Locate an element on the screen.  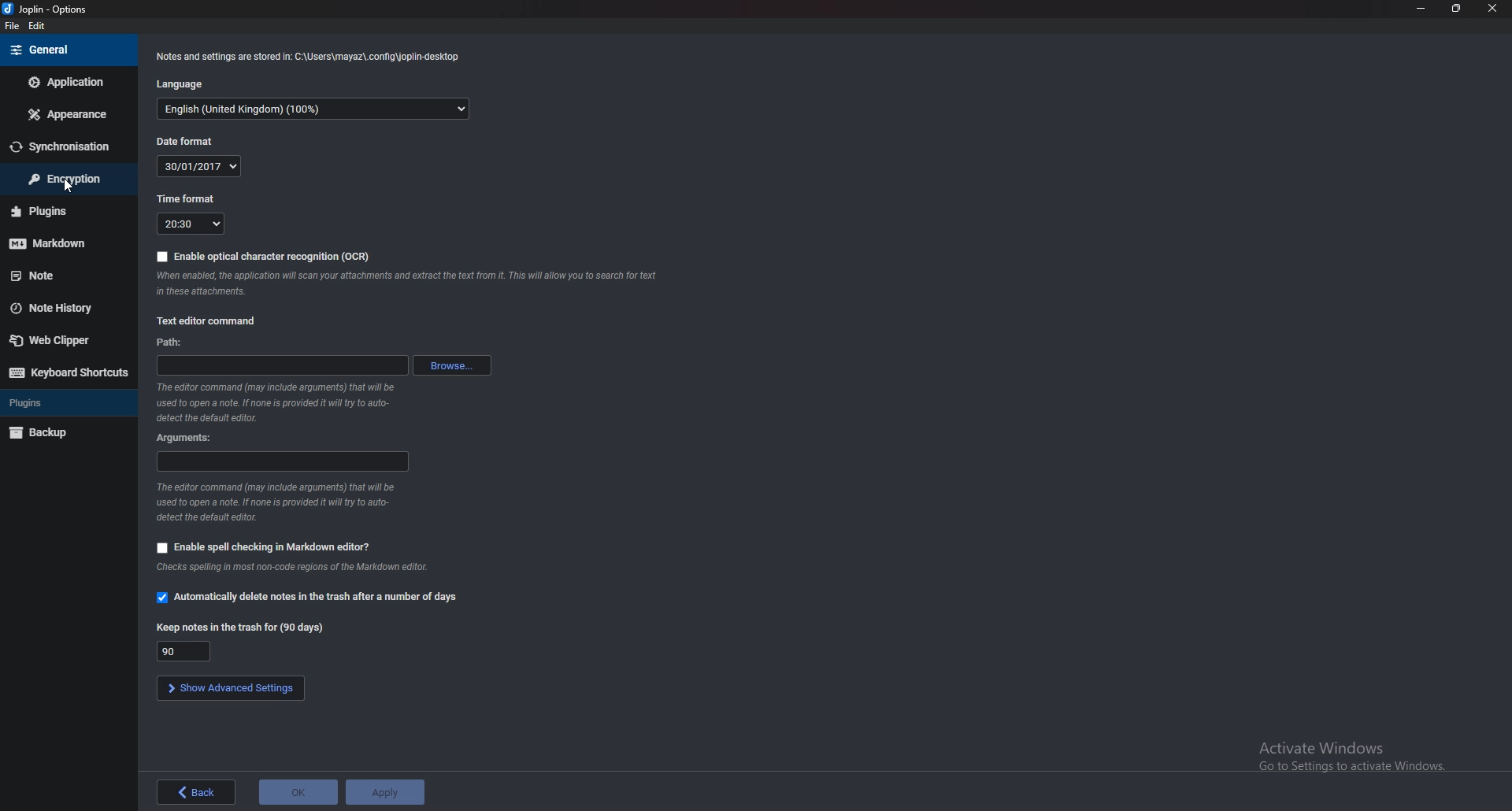
ok is located at coordinates (300, 793).